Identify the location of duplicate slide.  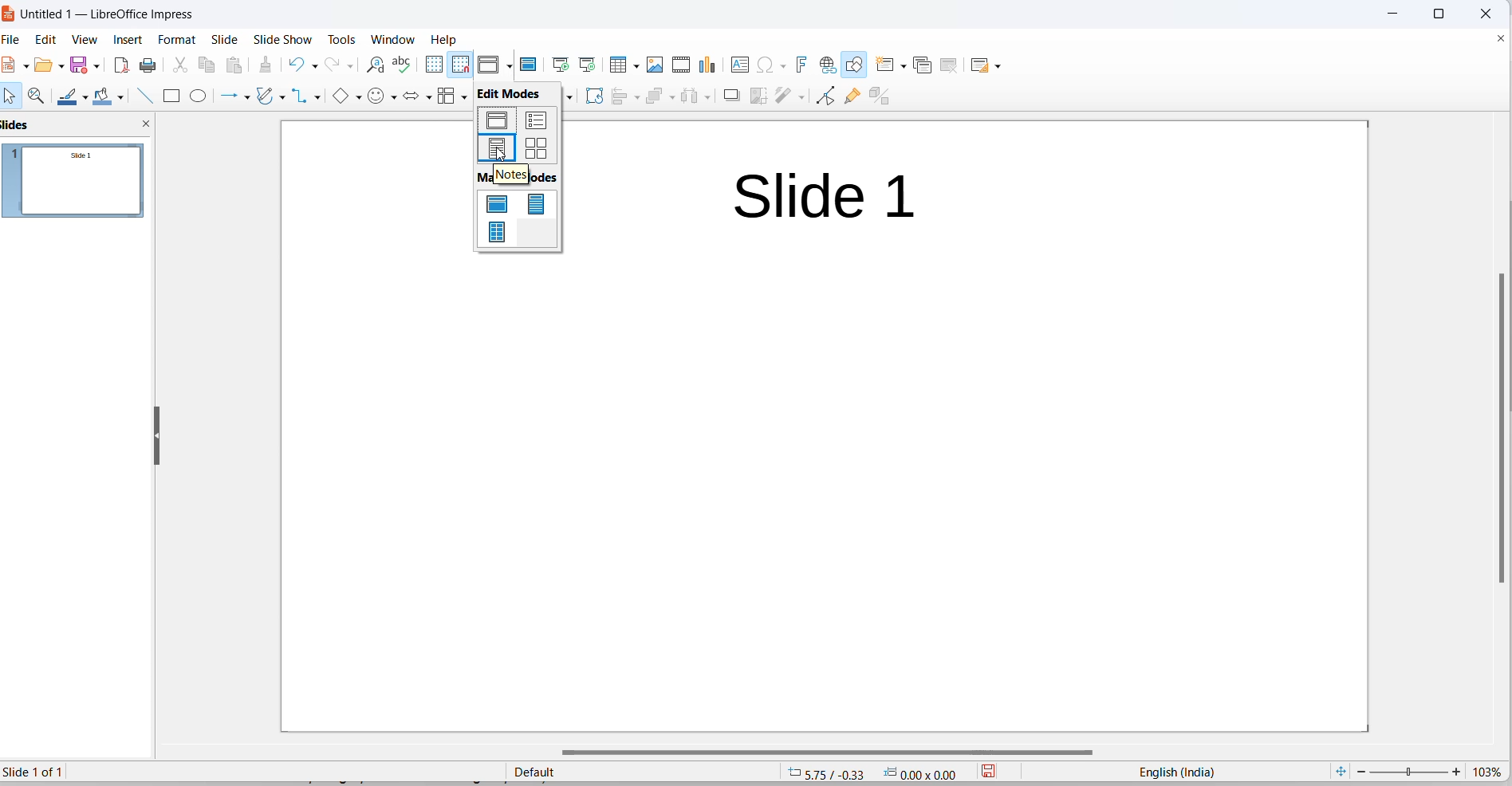
(925, 65).